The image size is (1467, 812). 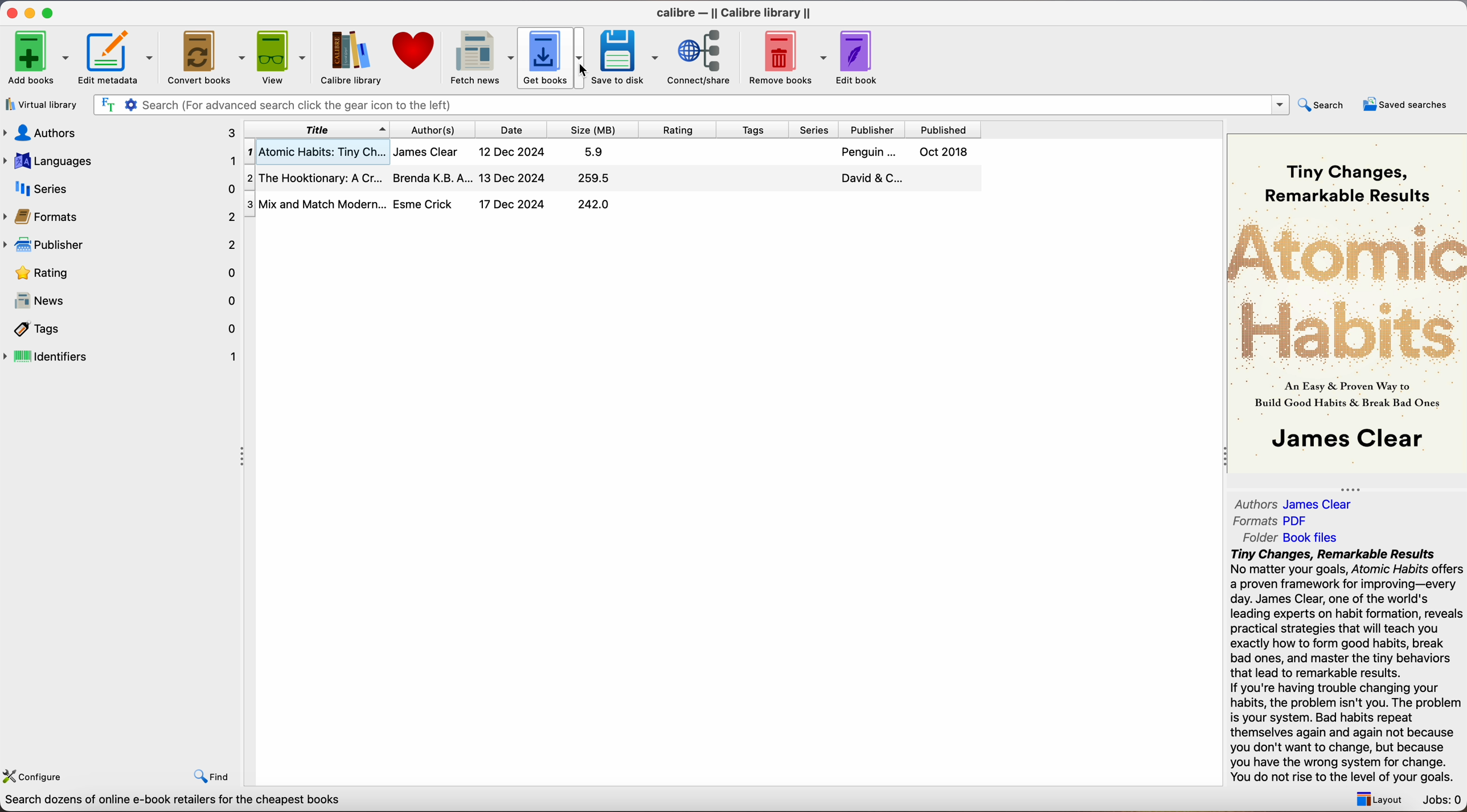 What do you see at coordinates (415, 51) in the screenshot?
I see `donate` at bounding box center [415, 51].